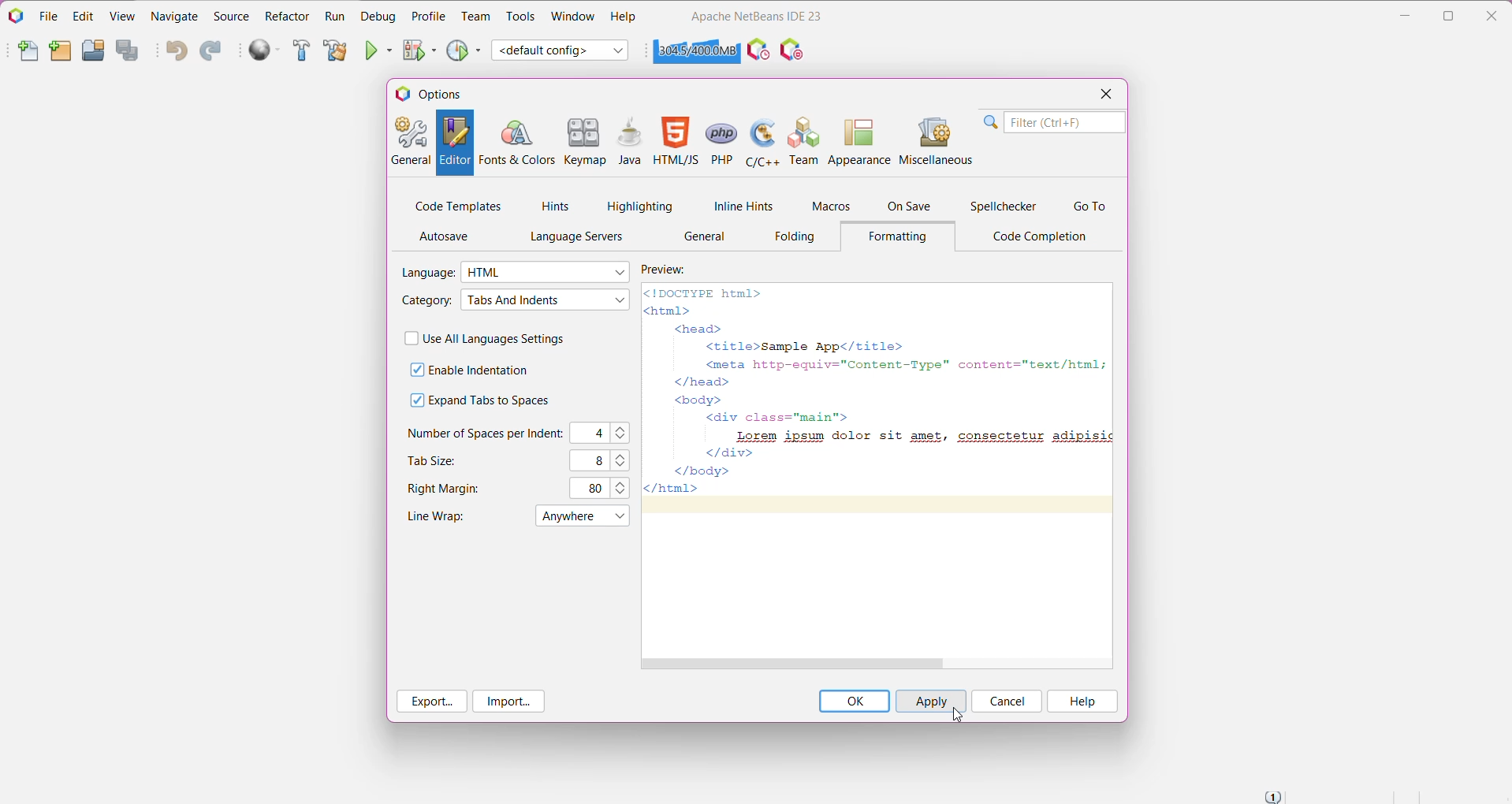  I want to click on Application Logo, so click(15, 15).